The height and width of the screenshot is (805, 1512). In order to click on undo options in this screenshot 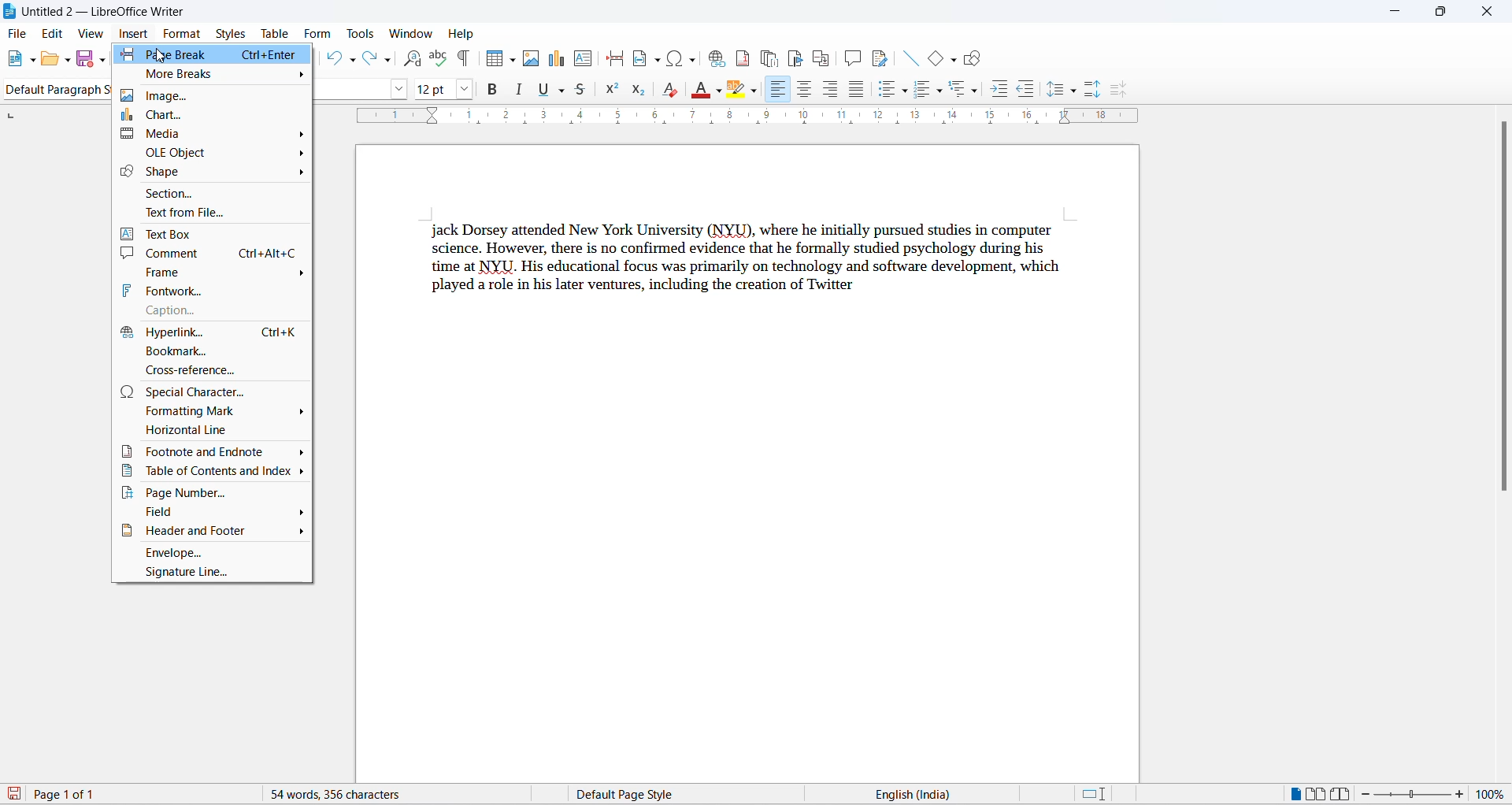, I will do `click(354, 60)`.